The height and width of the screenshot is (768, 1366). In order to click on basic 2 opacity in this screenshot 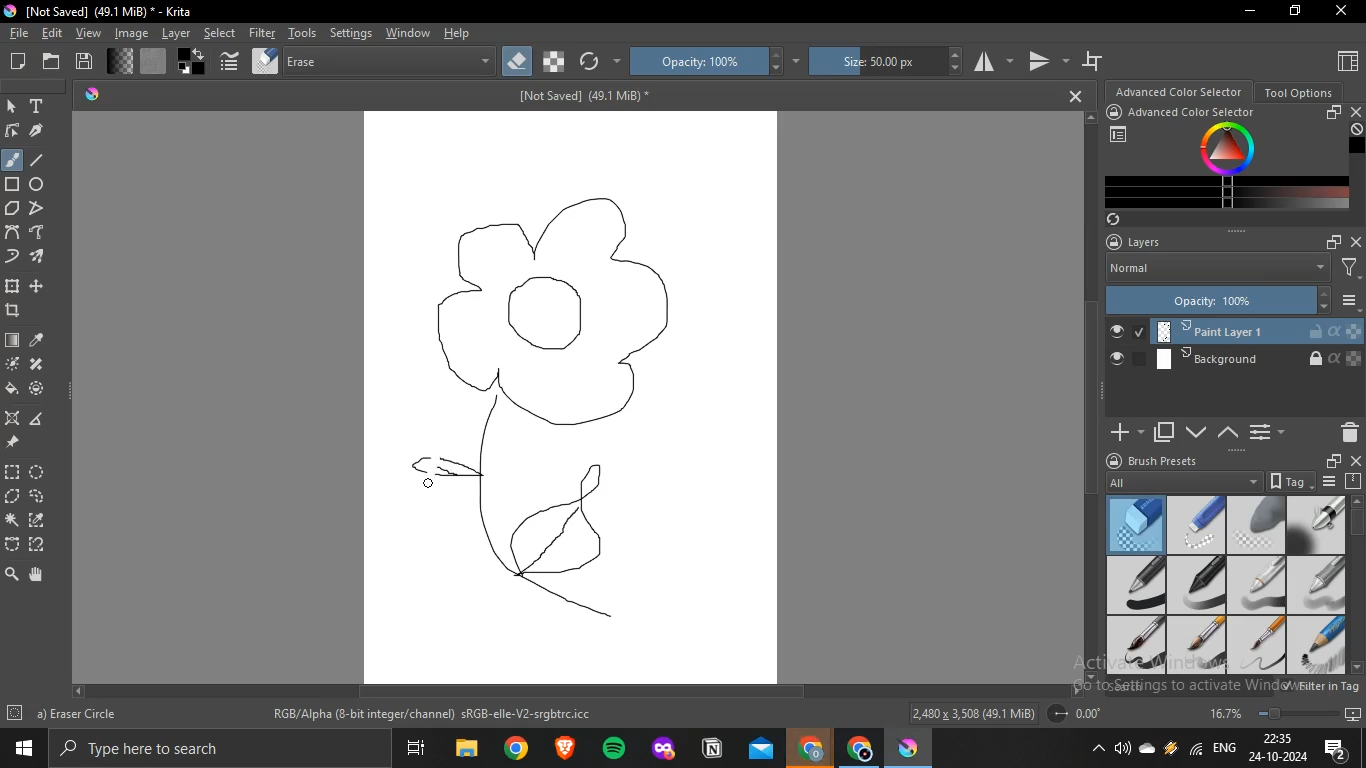, I will do `click(1196, 585)`.